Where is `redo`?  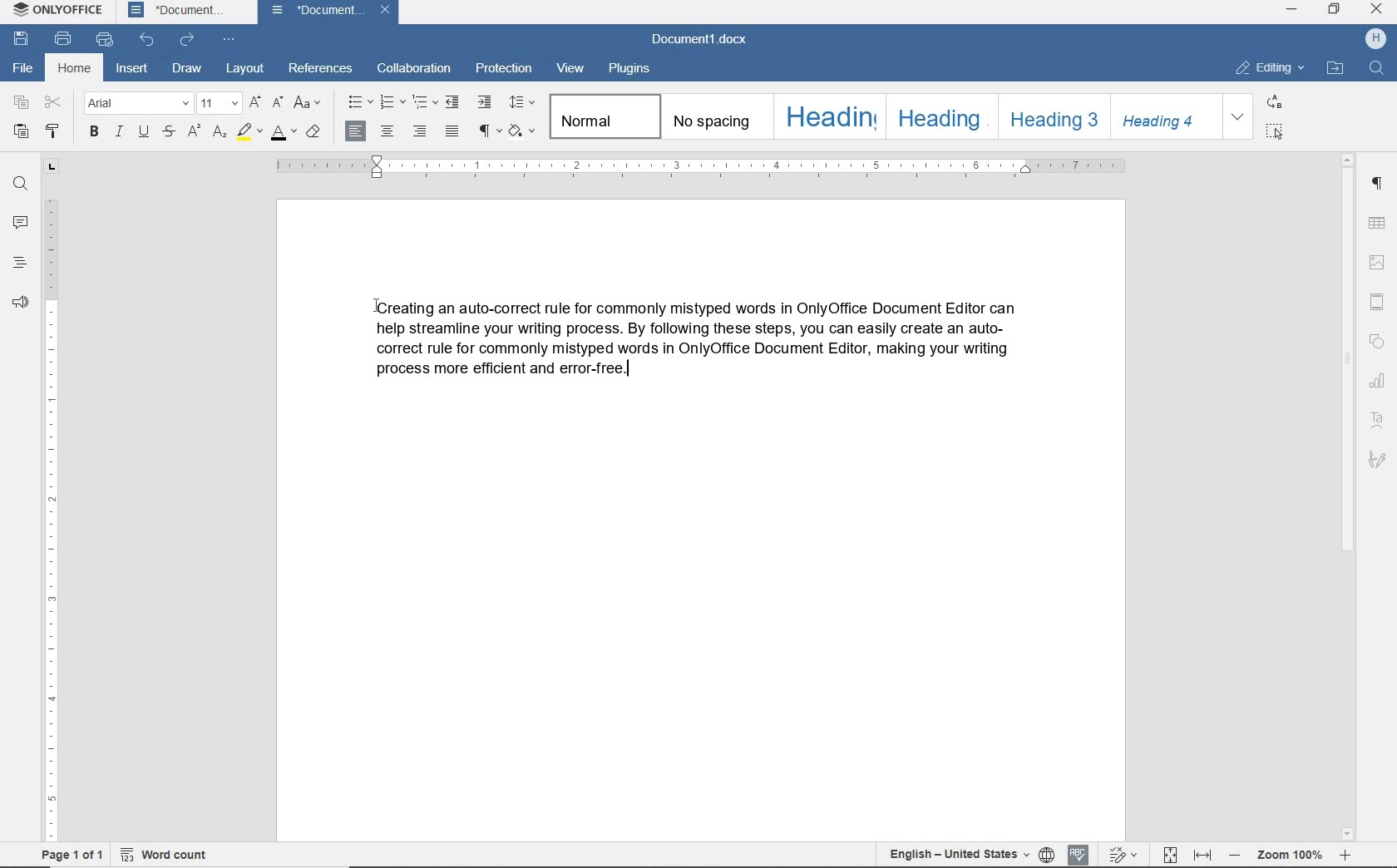 redo is located at coordinates (186, 39).